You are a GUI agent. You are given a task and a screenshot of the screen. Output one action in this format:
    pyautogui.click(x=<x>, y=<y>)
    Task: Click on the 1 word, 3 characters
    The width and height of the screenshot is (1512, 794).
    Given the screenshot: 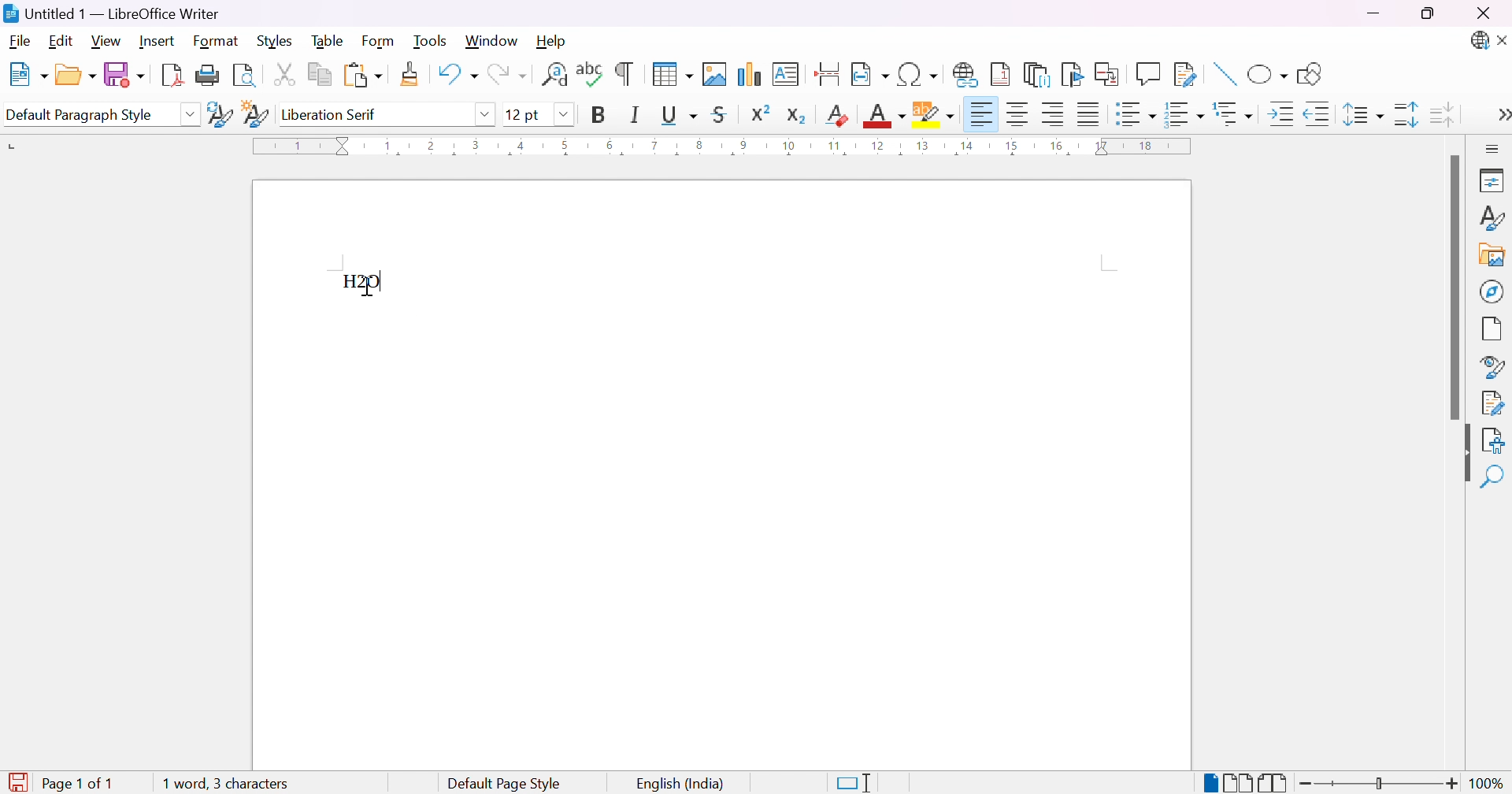 What is the action you would take?
    pyautogui.click(x=223, y=782)
    